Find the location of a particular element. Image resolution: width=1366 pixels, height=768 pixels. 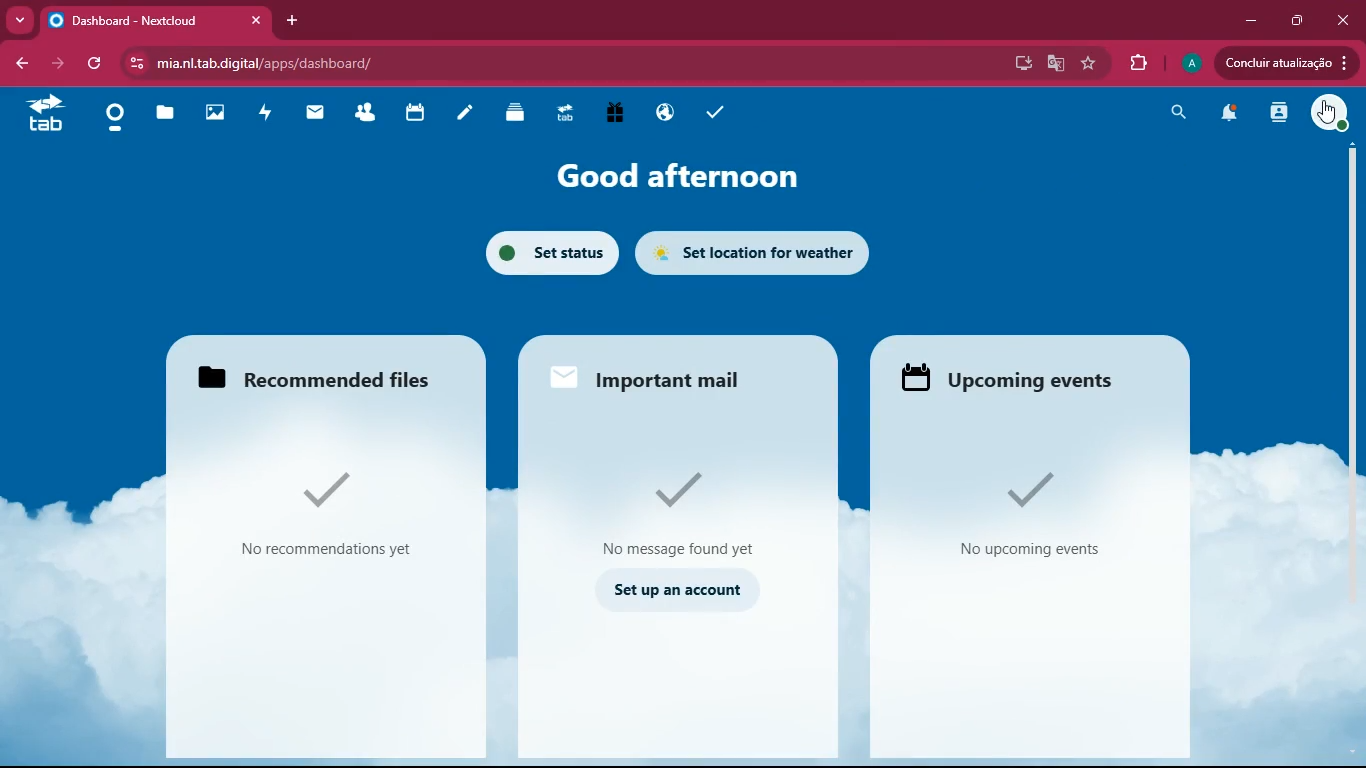

Dashboard - Nextcloud is located at coordinates (143, 22).